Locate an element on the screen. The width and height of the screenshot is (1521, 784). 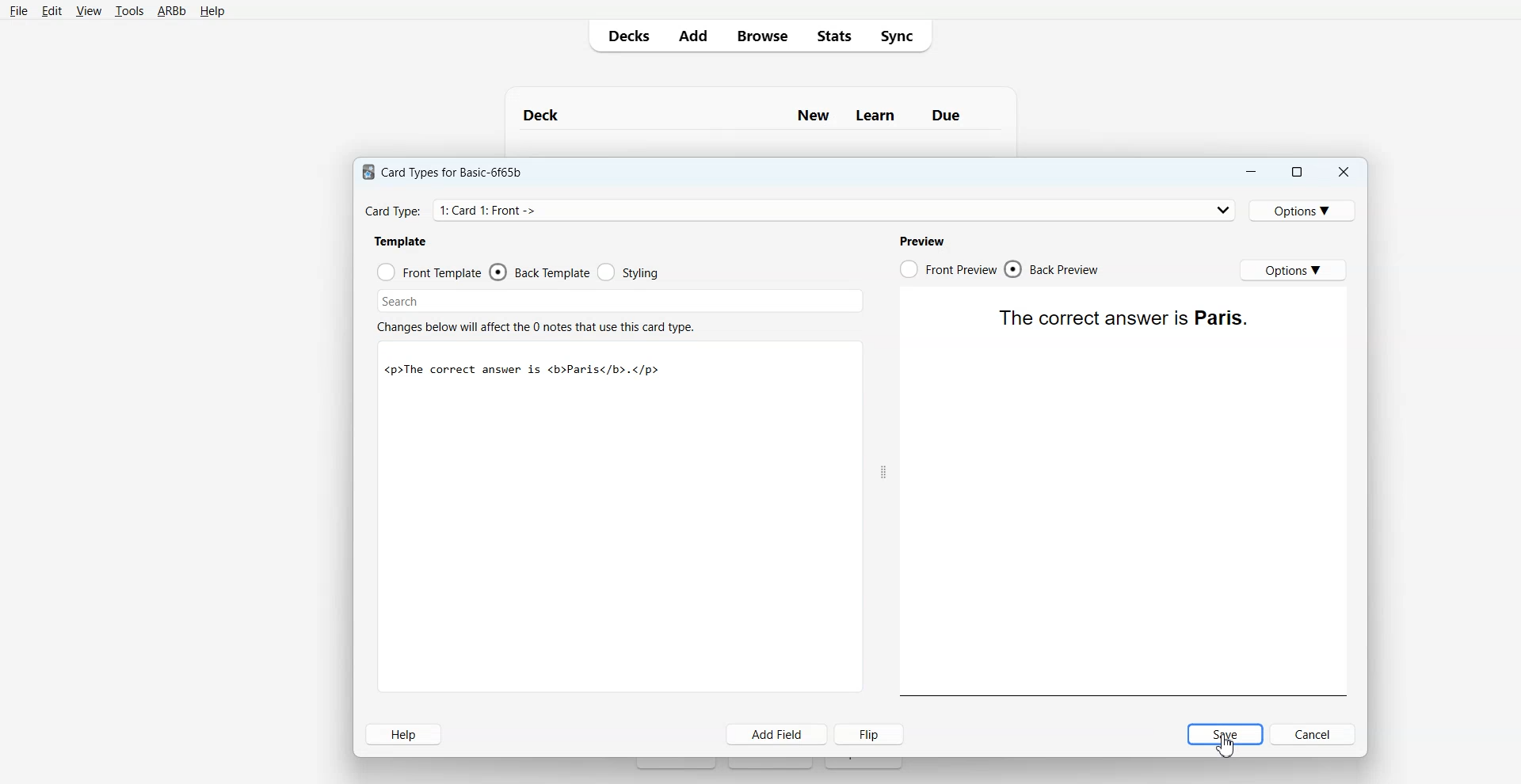
Text is located at coordinates (523, 371).